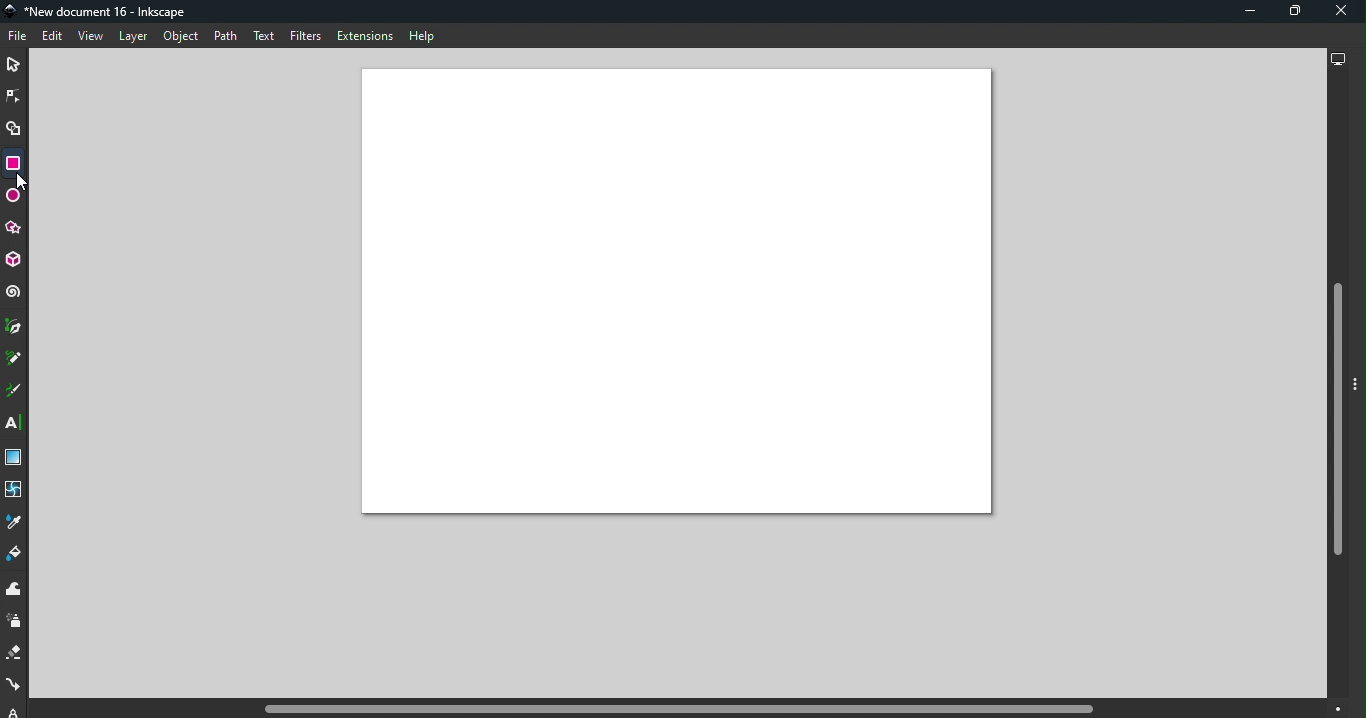 The width and height of the screenshot is (1366, 718). What do you see at coordinates (363, 35) in the screenshot?
I see `Extensions` at bounding box center [363, 35].